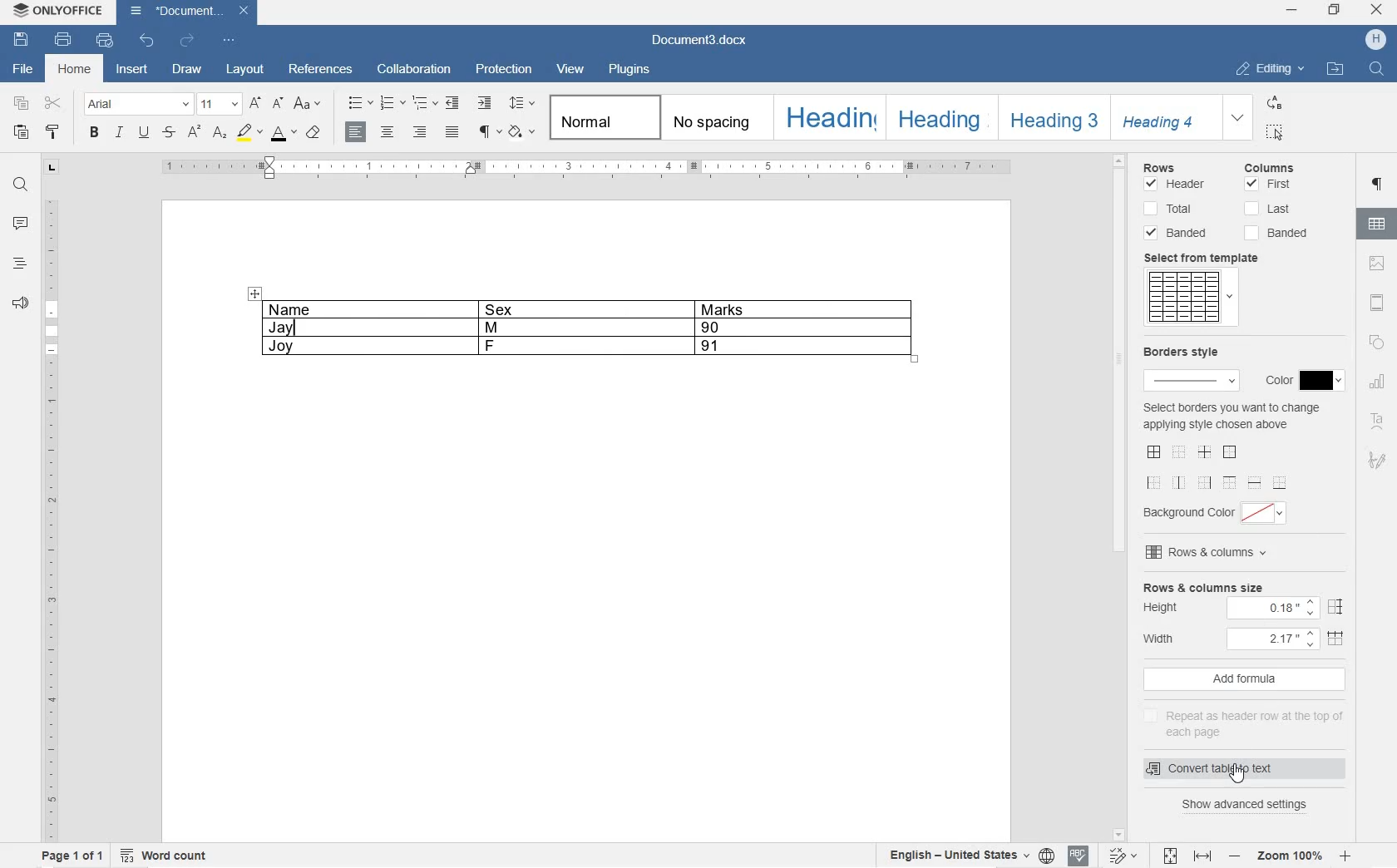 Image resolution: width=1397 pixels, height=868 pixels. I want to click on border style, so click(1190, 367).